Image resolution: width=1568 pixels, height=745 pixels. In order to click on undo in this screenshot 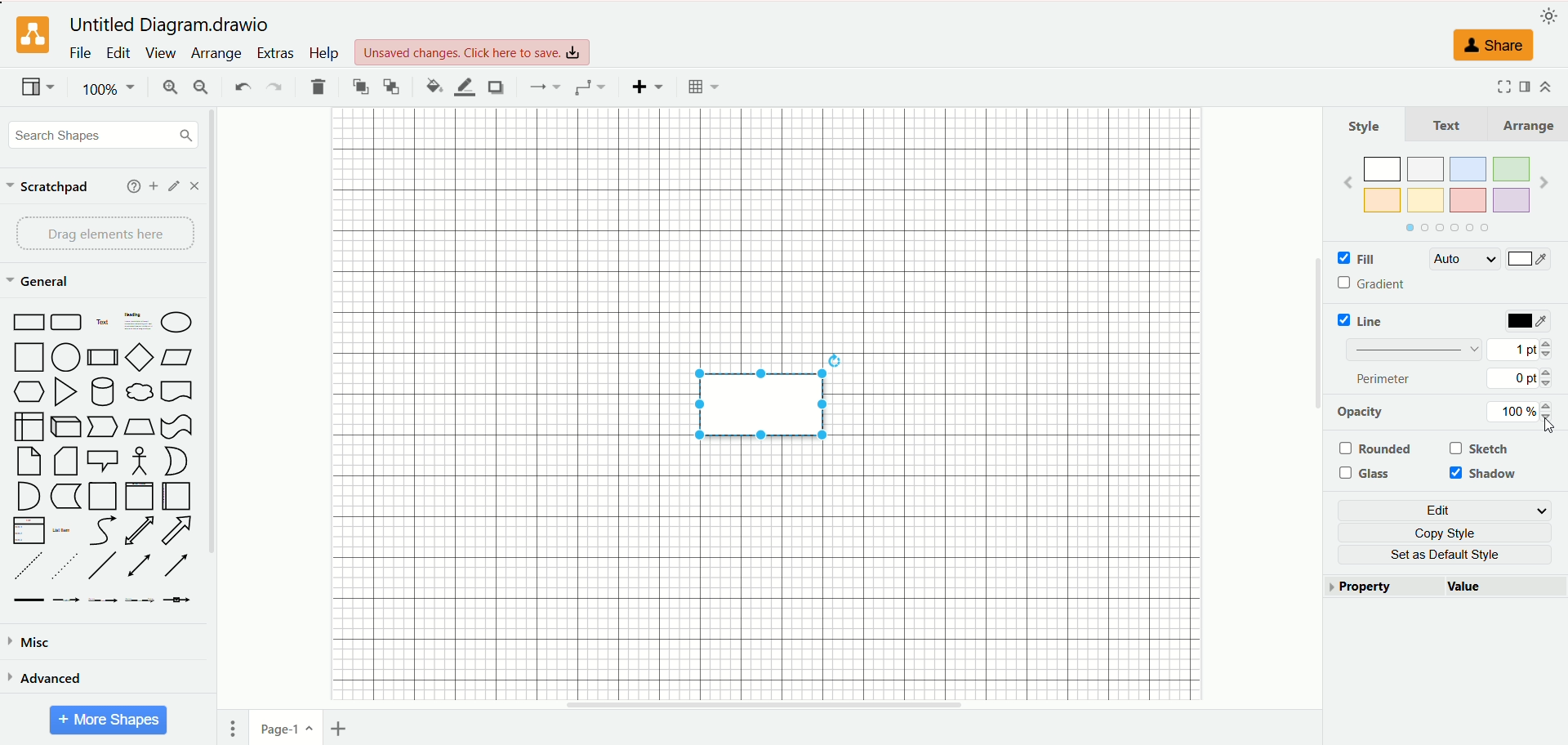, I will do `click(241, 85)`.